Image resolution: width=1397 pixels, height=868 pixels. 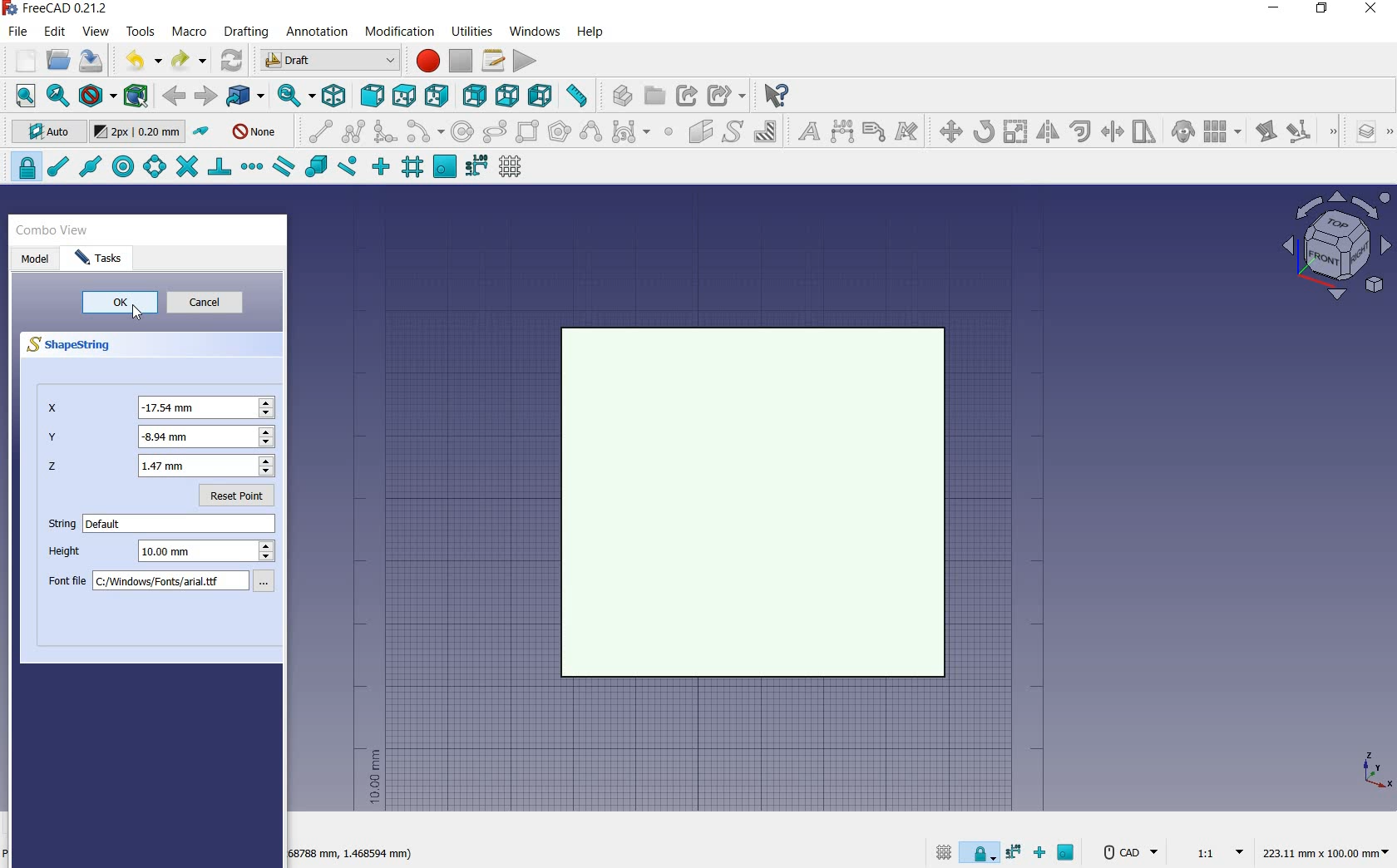 I want to click on trimex, so click(x=1111, y=133).